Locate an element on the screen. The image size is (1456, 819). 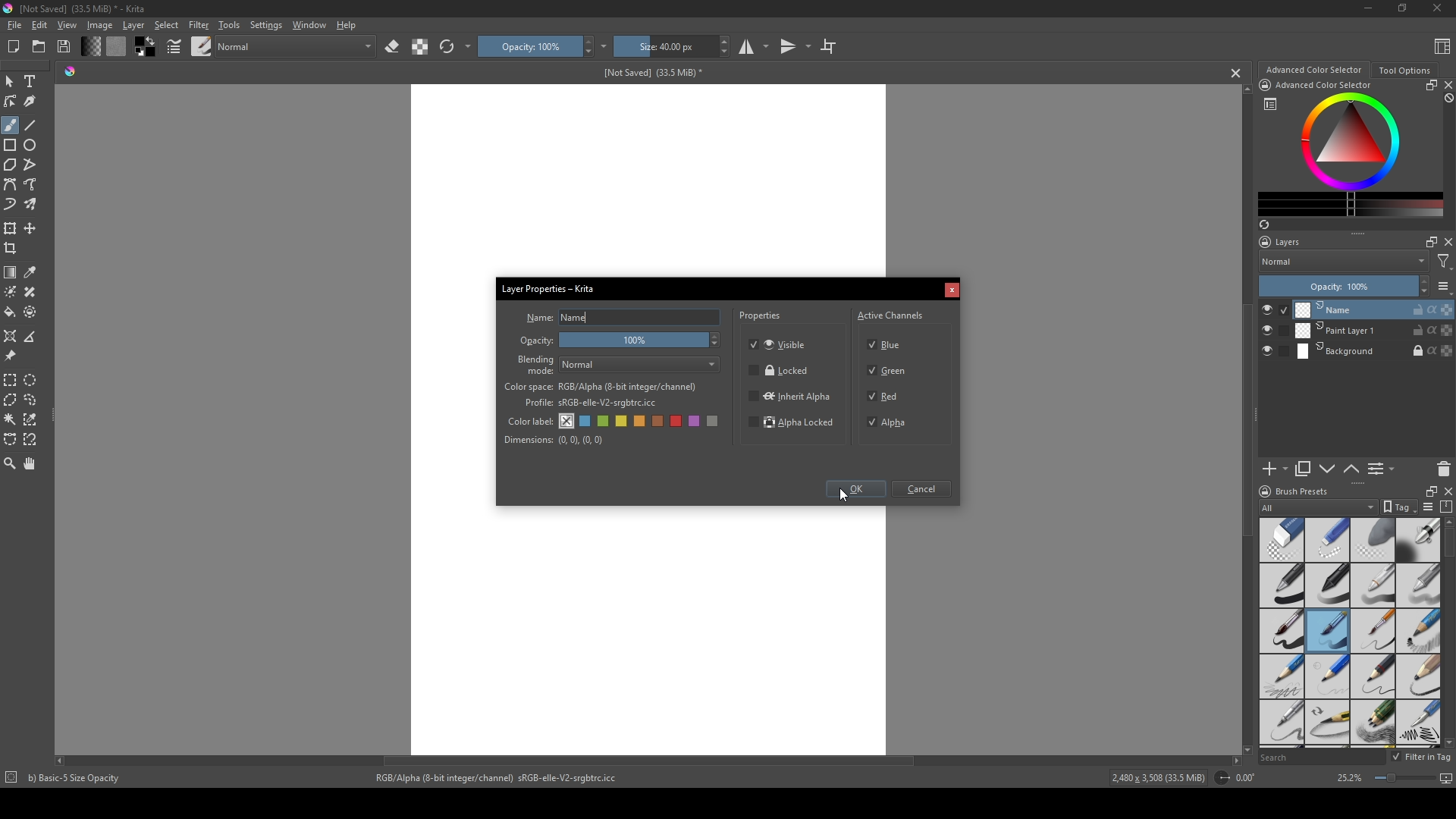
pan is located at coordinates (31, 463).